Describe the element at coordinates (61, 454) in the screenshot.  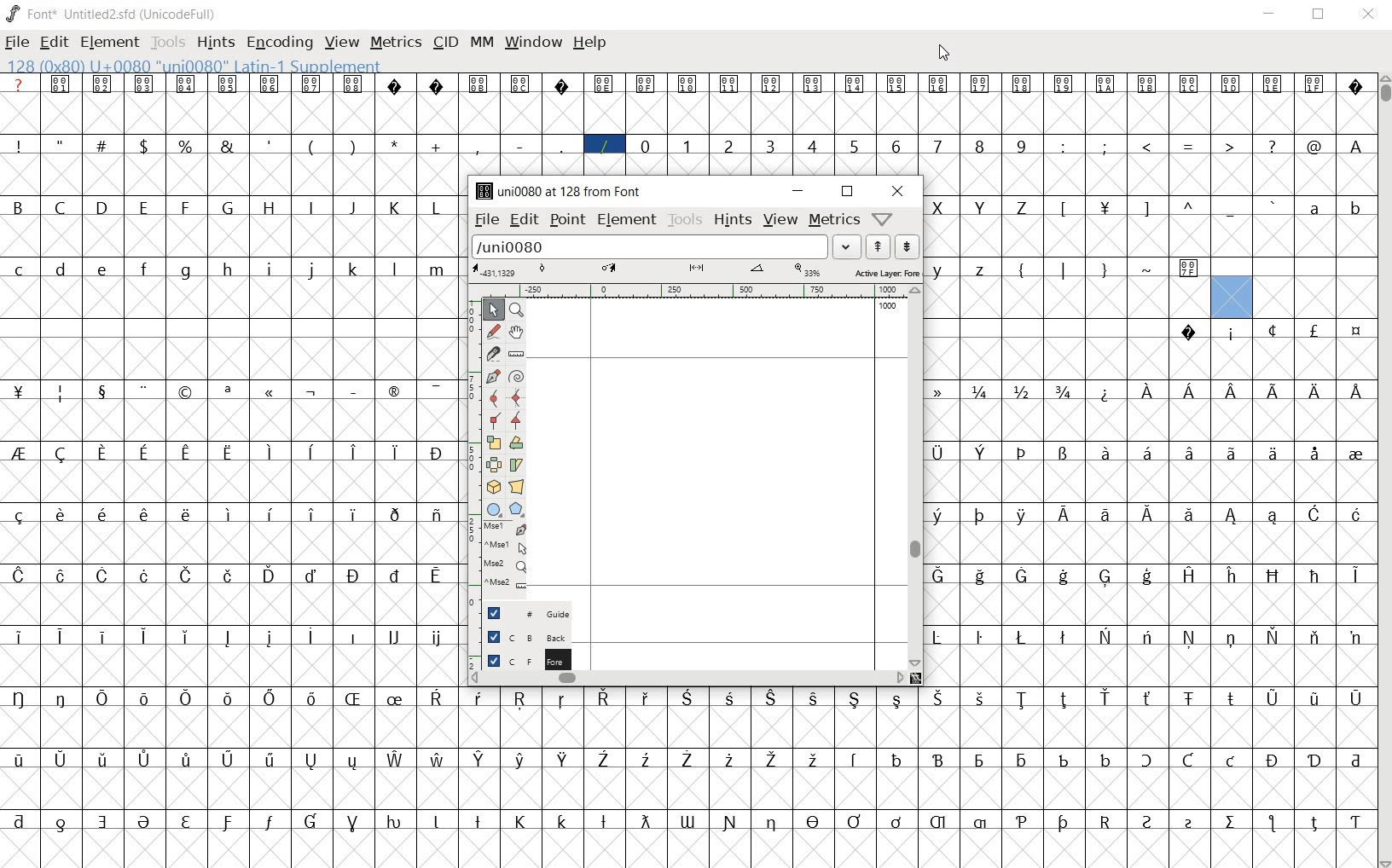
I see `glyph` at that location.